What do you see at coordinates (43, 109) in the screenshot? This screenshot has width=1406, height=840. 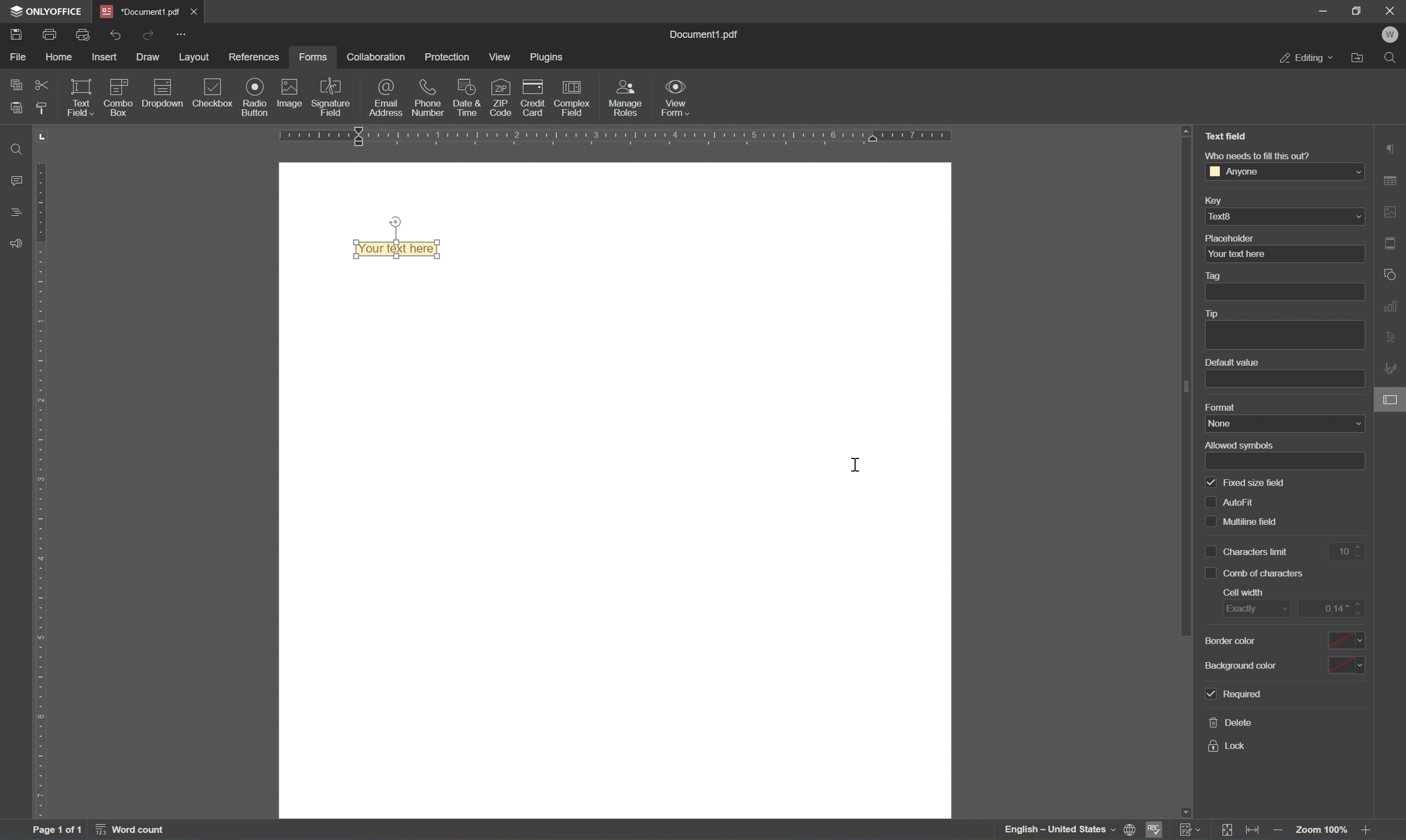 I see `clear style` at bounding box center [43, 109].